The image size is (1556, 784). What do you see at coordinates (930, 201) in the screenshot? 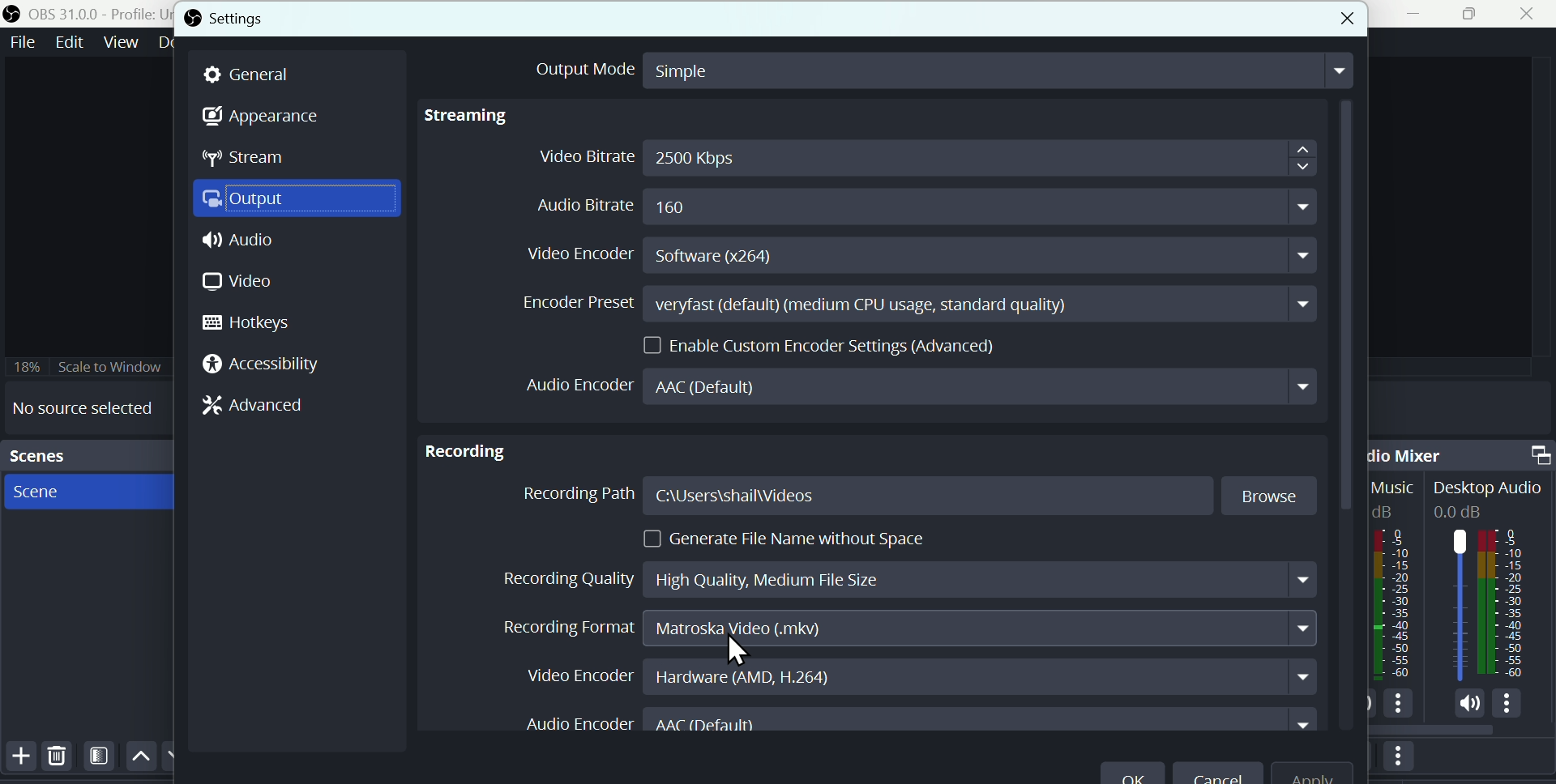
I see `Audio bitrate` at bounding box center [930, 201].